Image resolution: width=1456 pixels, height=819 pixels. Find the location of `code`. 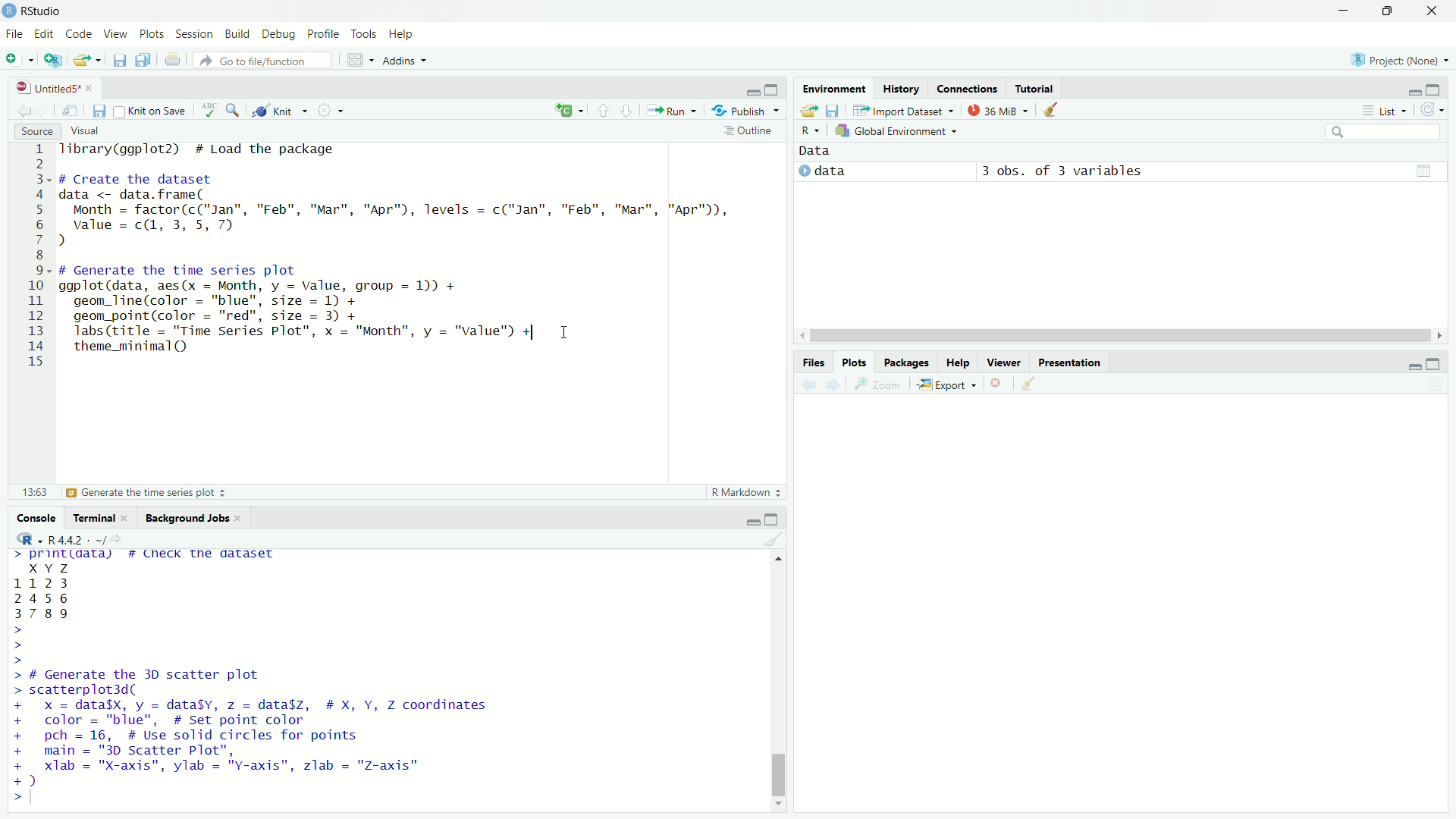

code is located at coordinates (79, 33).